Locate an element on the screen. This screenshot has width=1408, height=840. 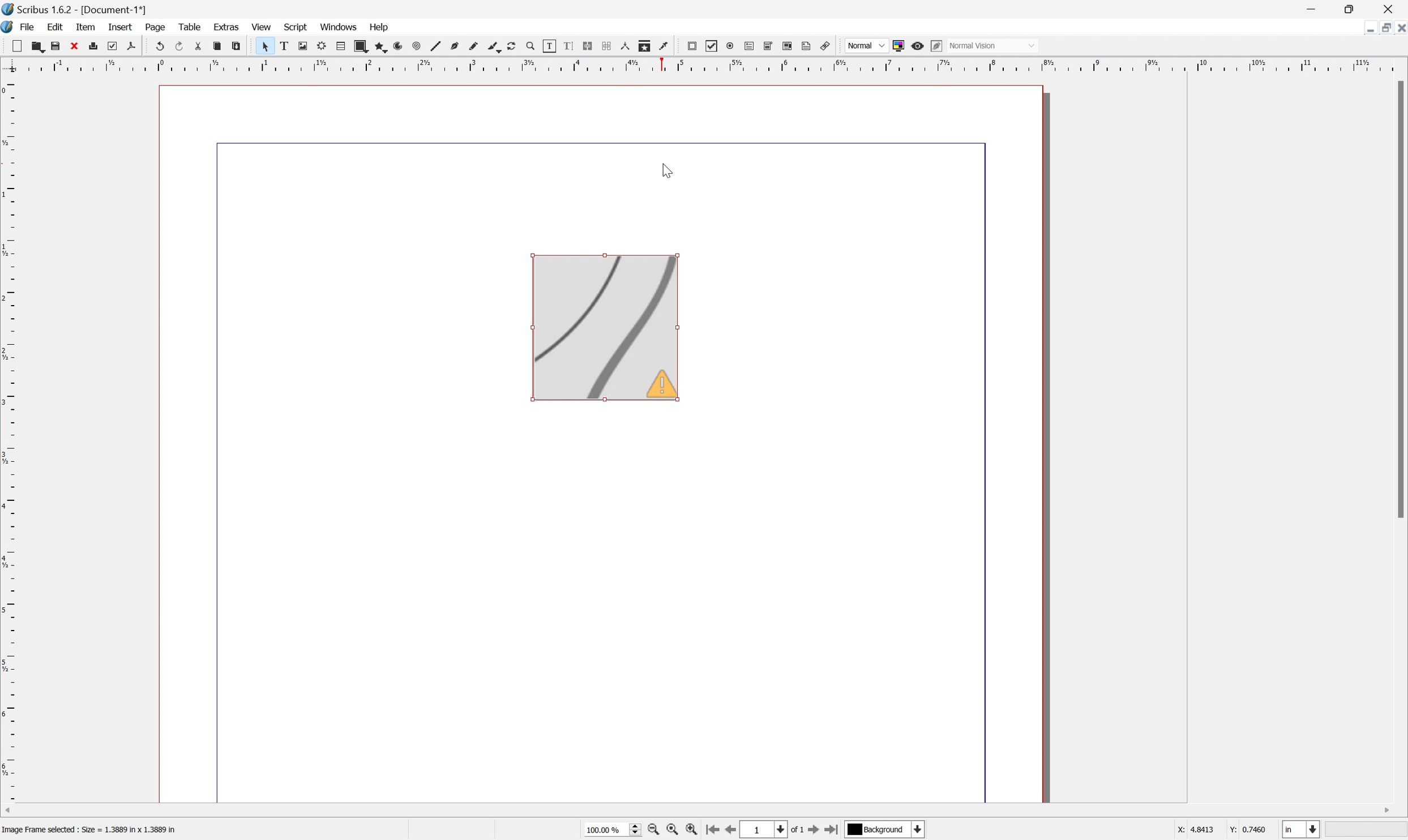
File is located at coordinates (29, 26).